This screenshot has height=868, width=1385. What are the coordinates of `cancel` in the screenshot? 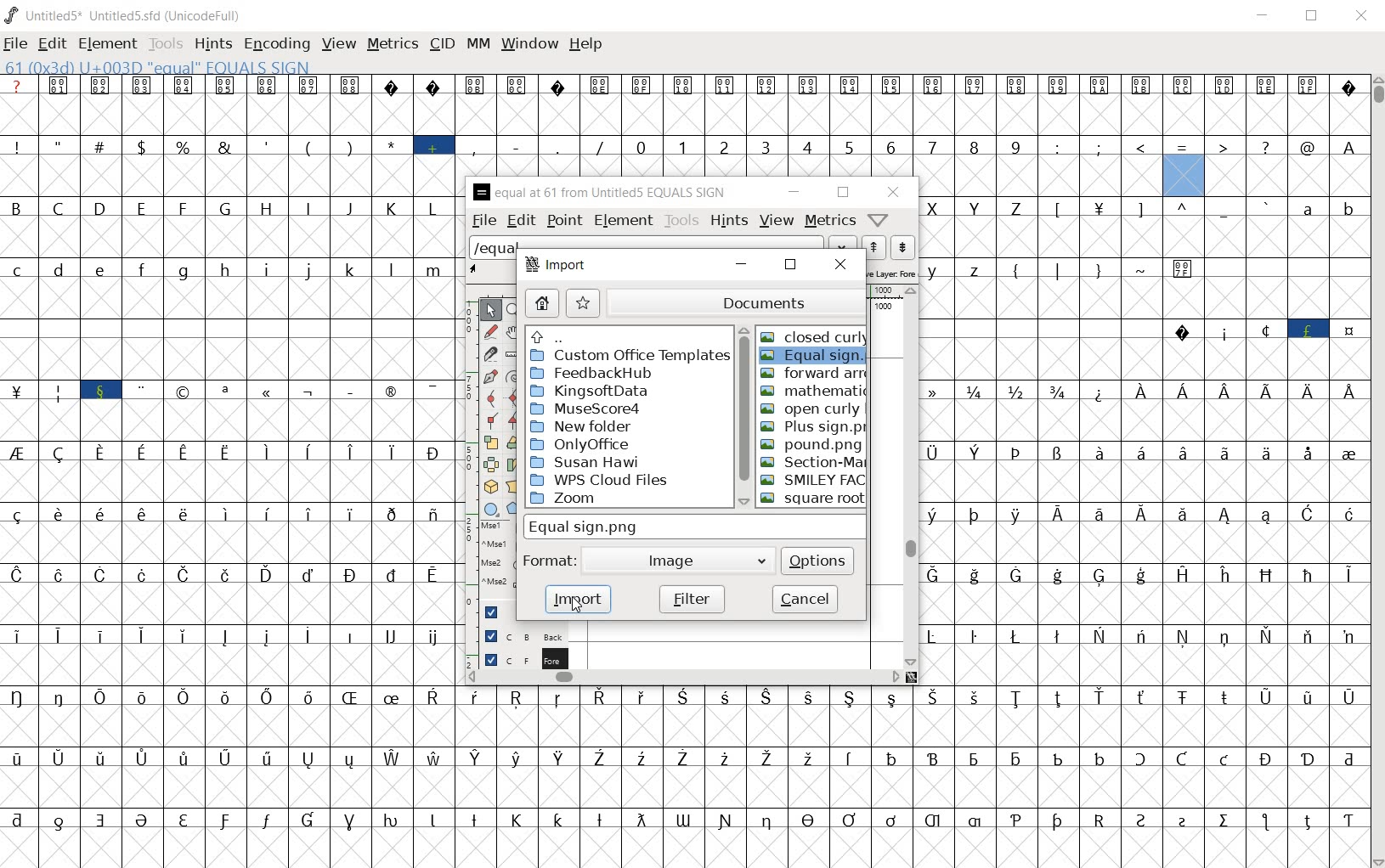 It's located at (806, 599).